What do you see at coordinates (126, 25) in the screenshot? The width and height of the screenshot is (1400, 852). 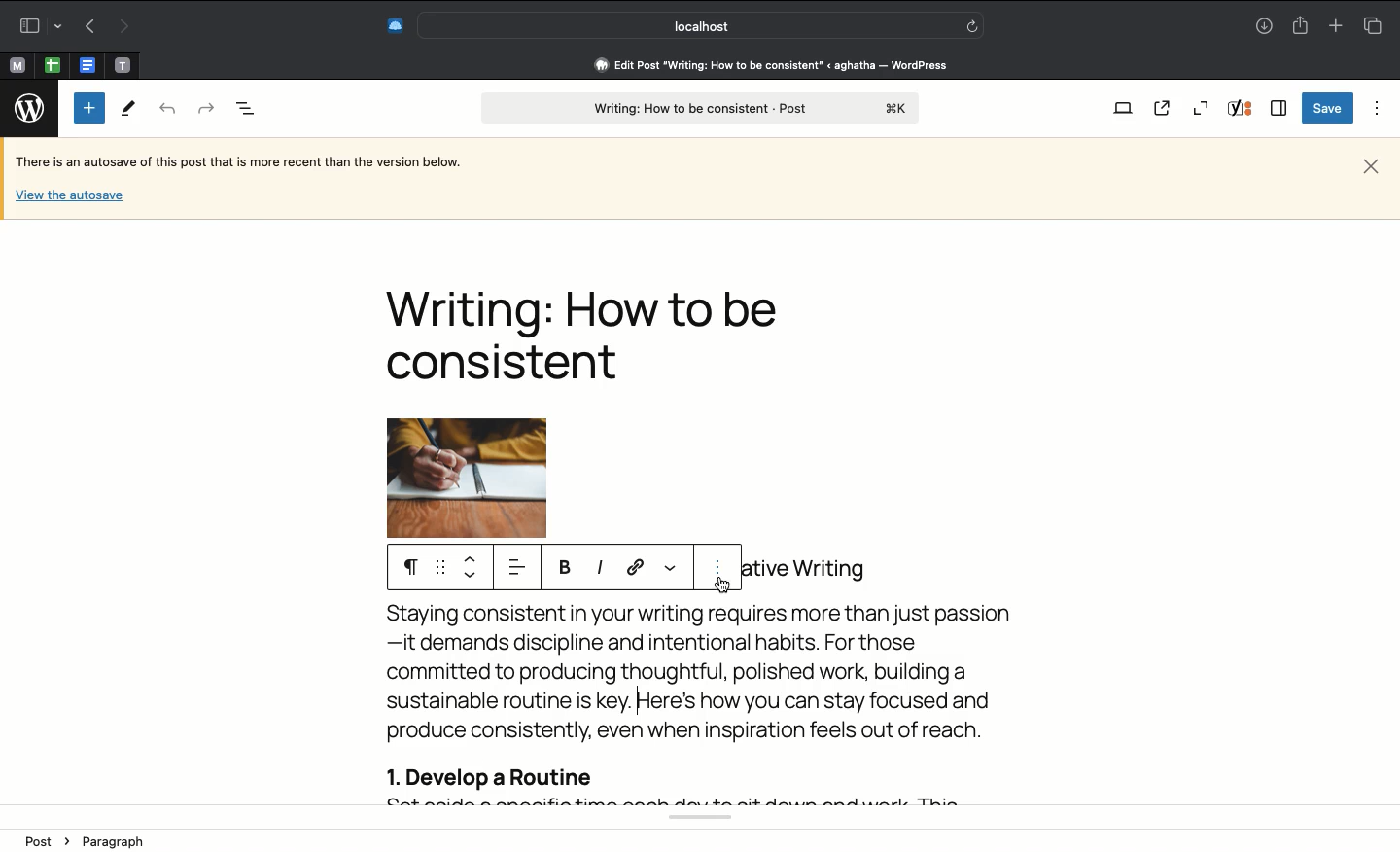 I see `Next page` at bounding box center [126, 25].